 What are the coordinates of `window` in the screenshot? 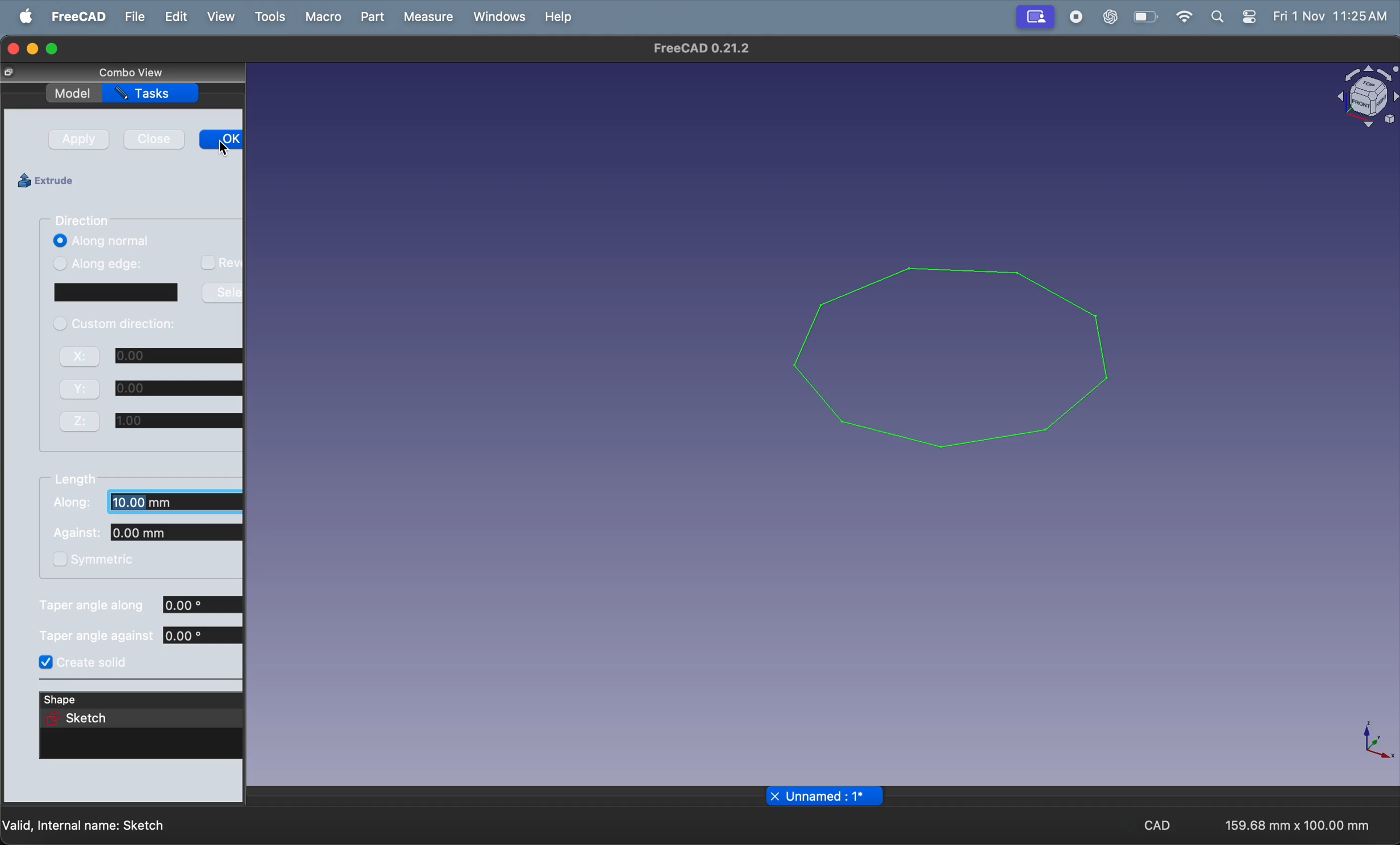 It's located at (115, 291).